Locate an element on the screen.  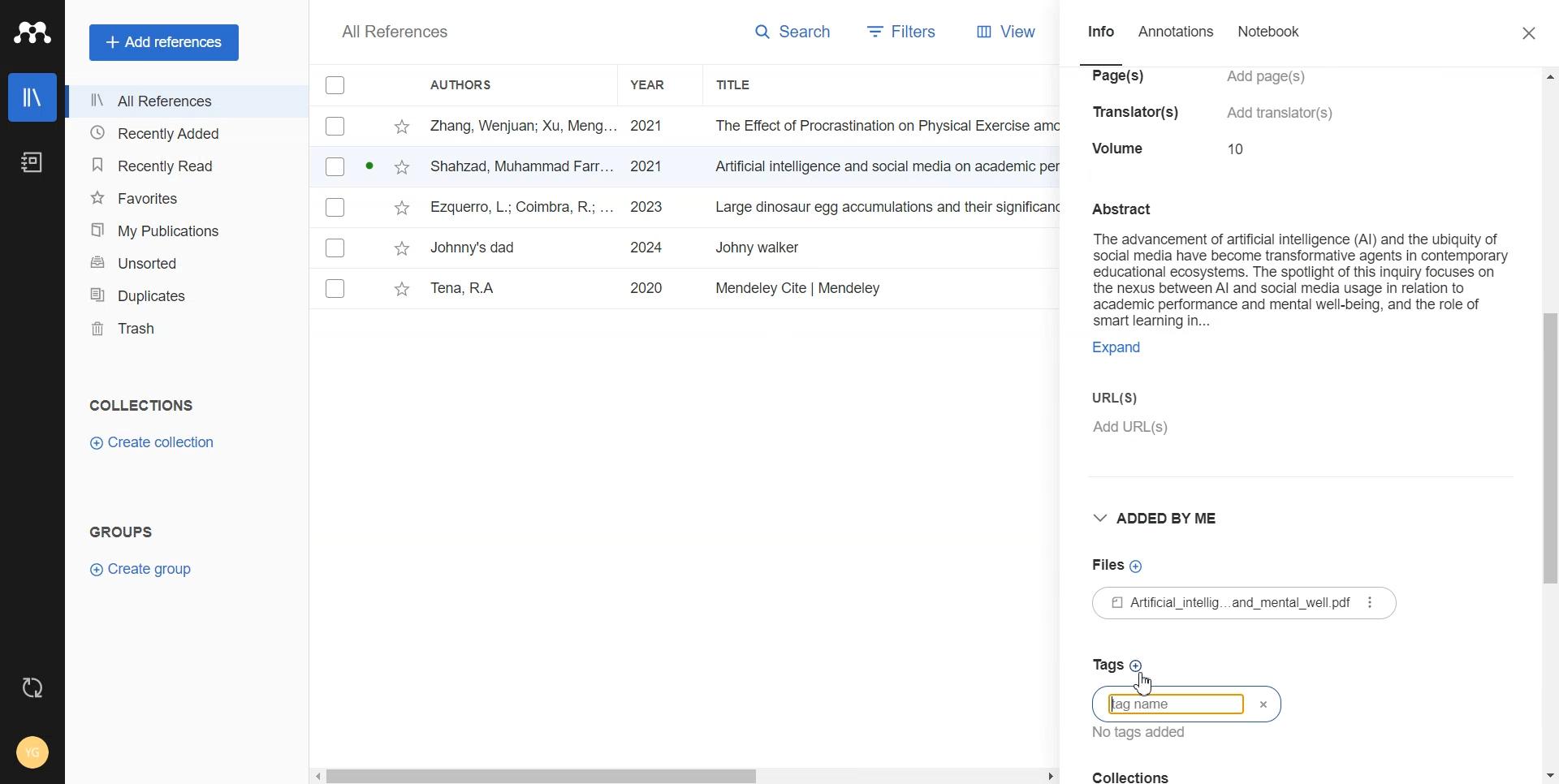
Search is located at coordinates (786, 34).